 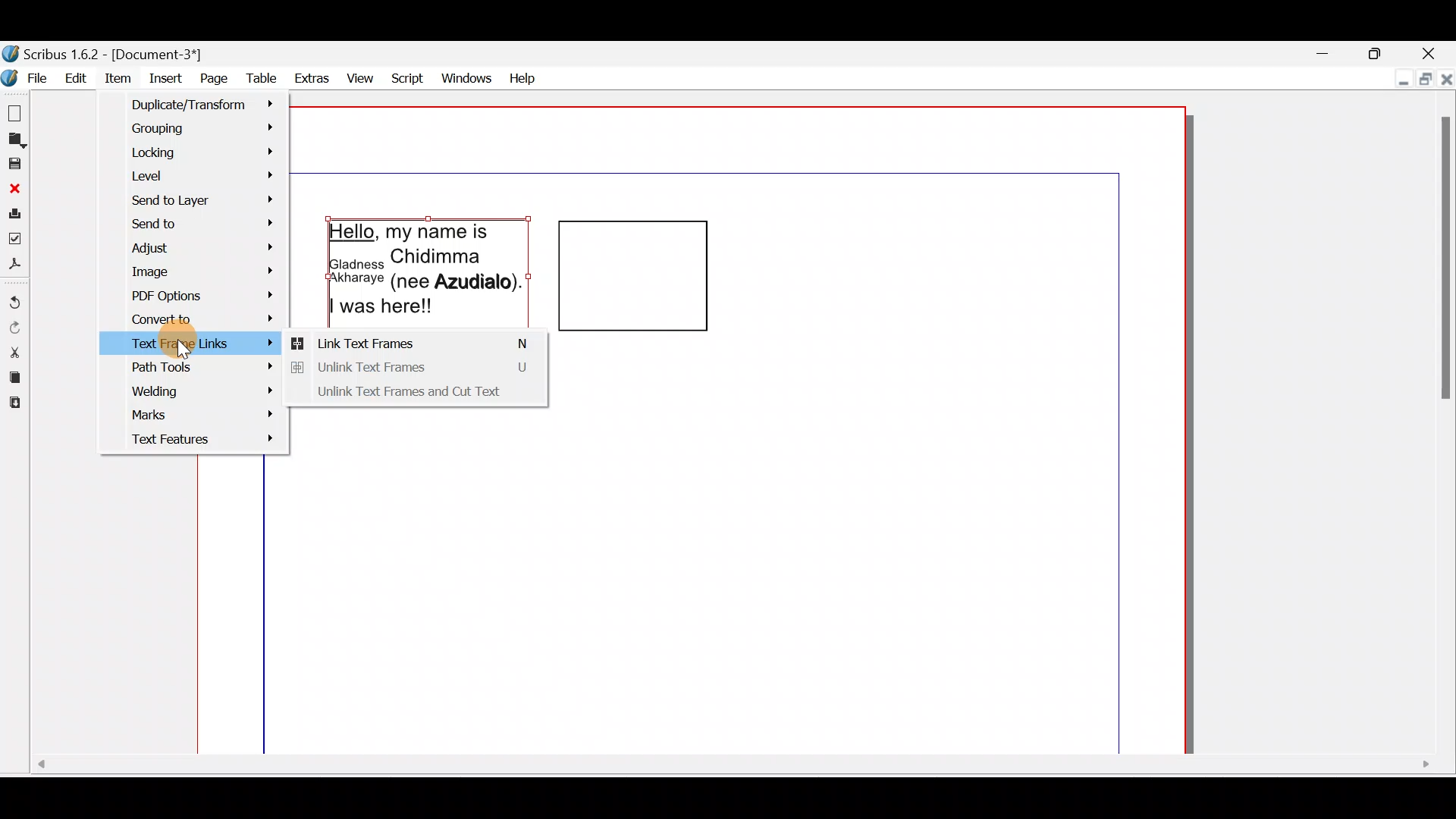 What do you see at coordinates (14, 163) in the screenshot?
I see `Save` at bounding box center [14, 163].